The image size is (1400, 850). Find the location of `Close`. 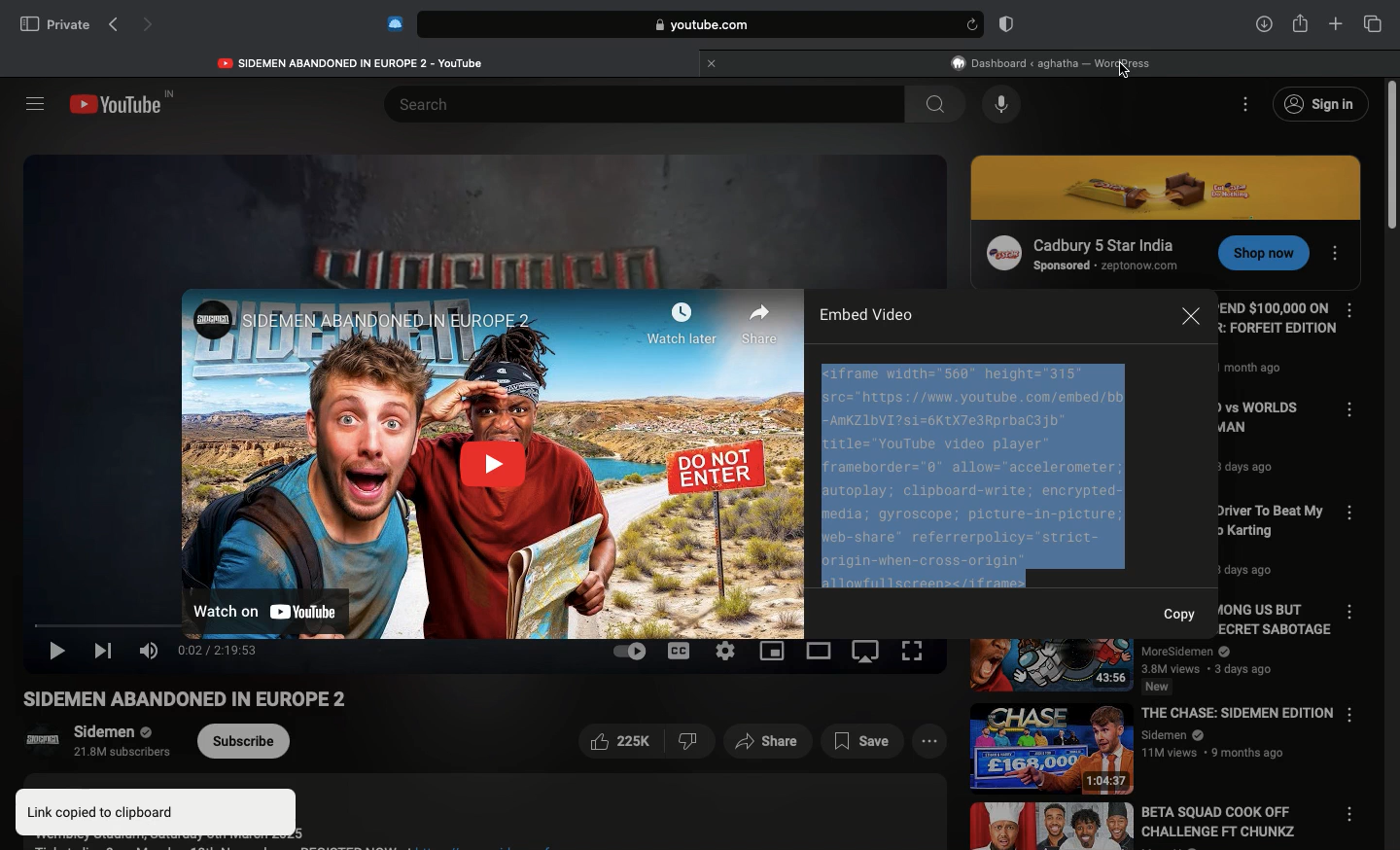

Close is located at coordinates (1191, 320).